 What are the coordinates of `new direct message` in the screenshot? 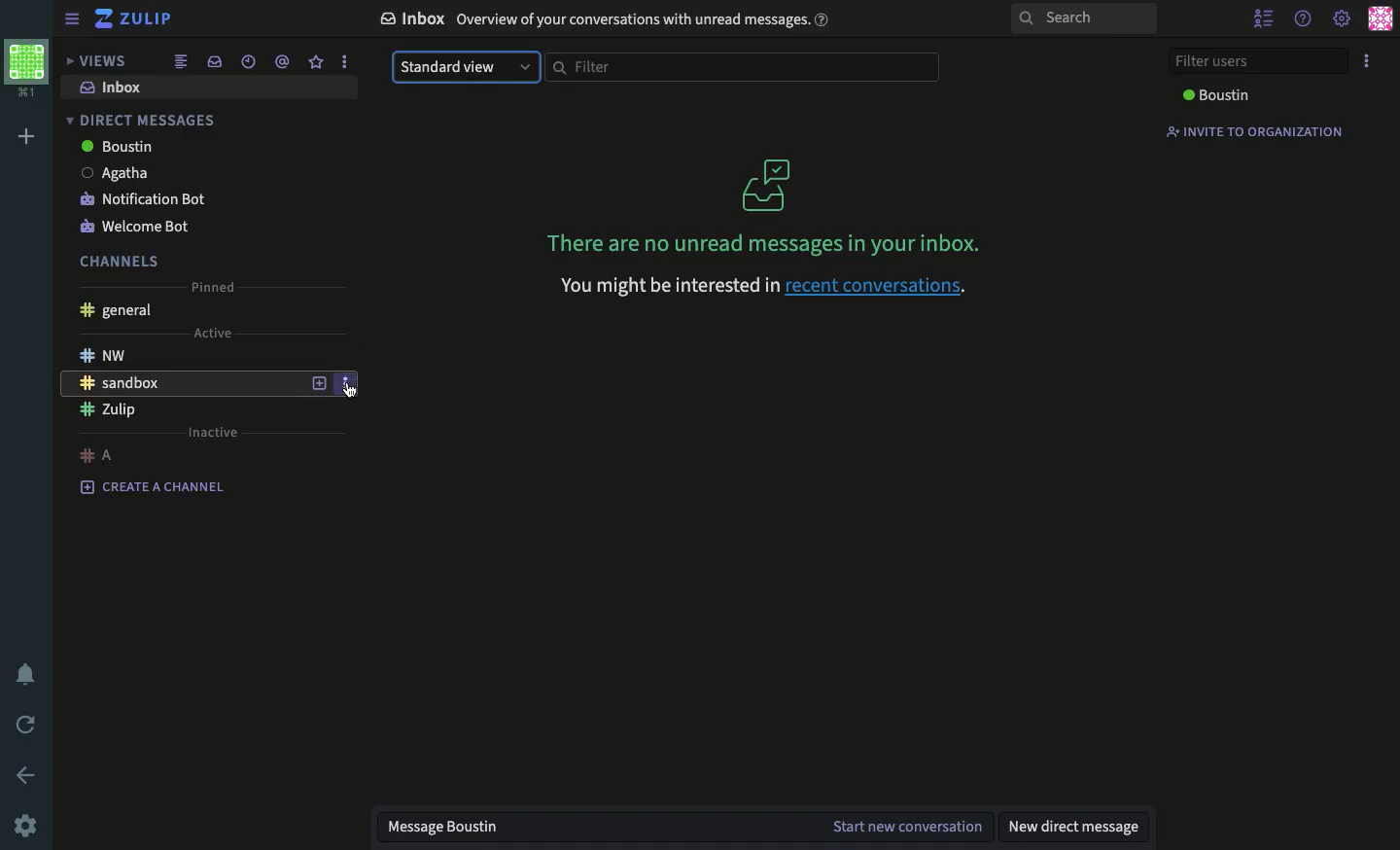 It's located at (1082, 830).